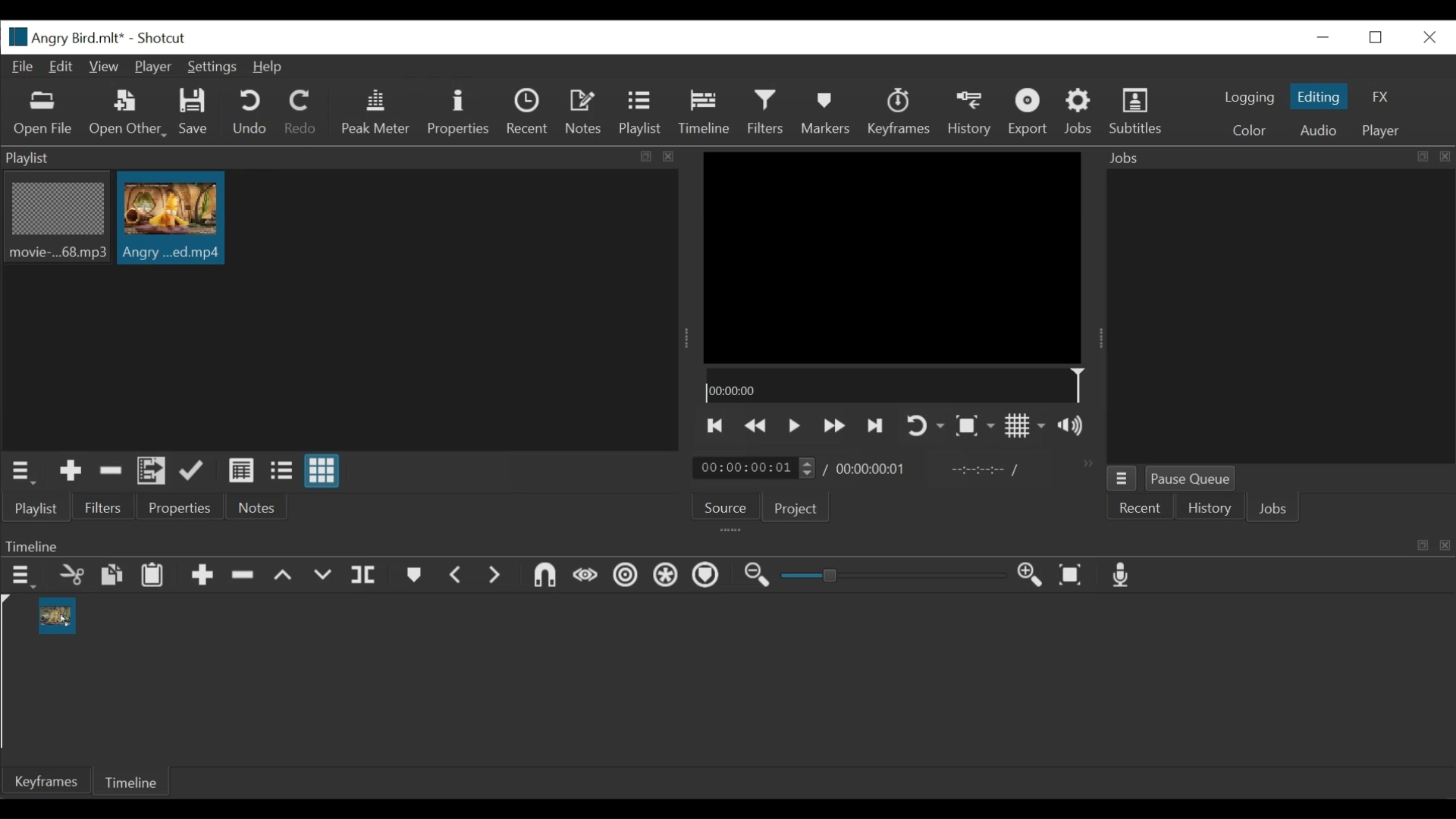 The width and height of the screenshot is (1456, 819). What do you see at coordinates (755, 467) in the screenshot?
I see `Current Duration` at bounding box center [755, 467].